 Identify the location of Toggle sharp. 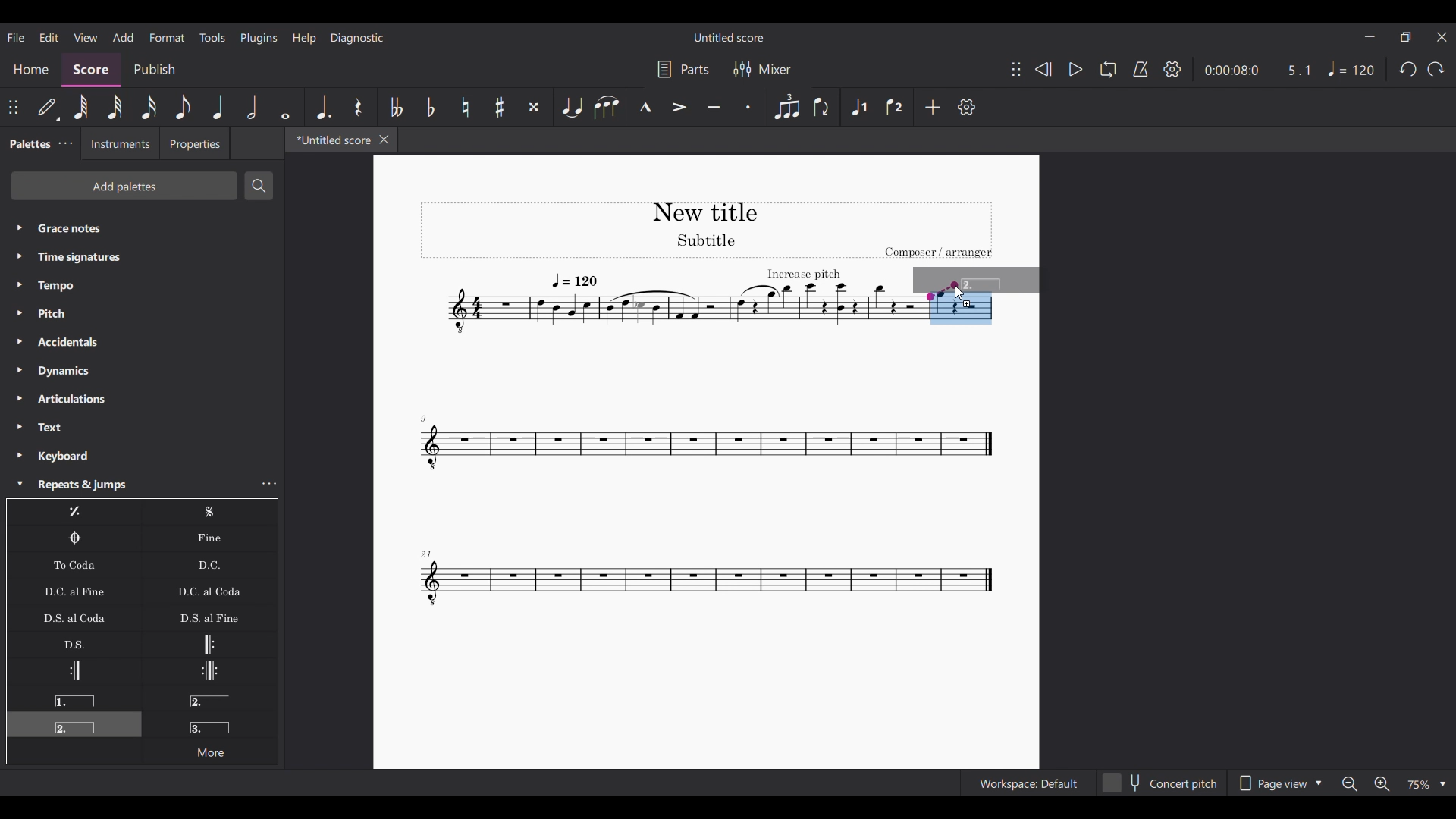
(499, 107).